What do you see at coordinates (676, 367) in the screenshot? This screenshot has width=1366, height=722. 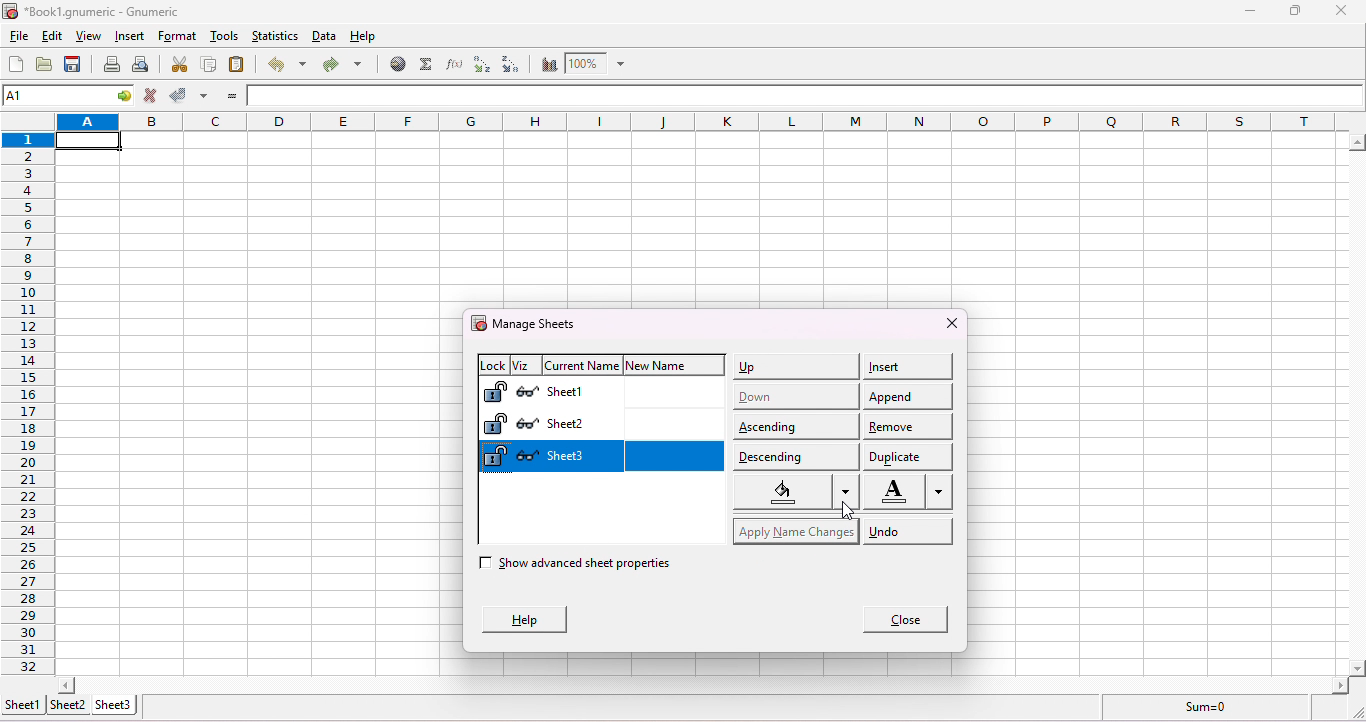 I see `new name` at bounding box center [676, 367].